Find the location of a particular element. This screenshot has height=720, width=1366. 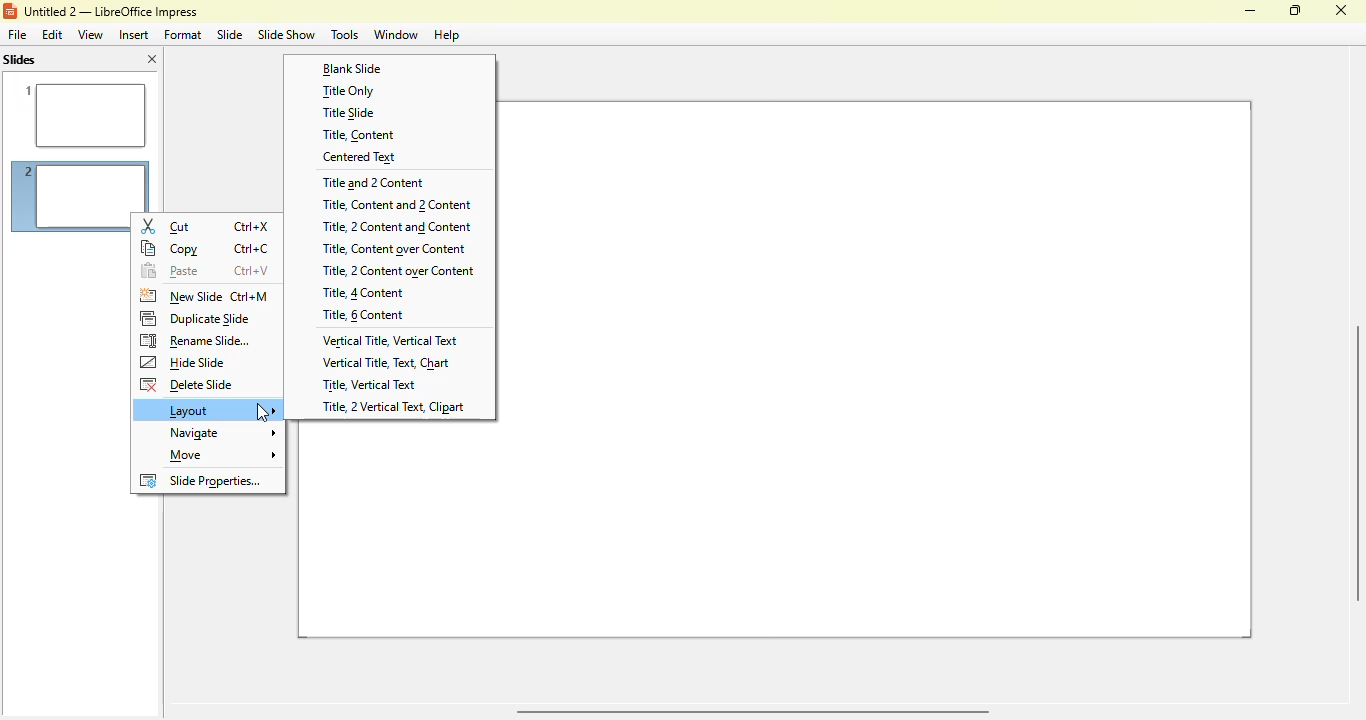

slide is located at coordinates (230, 34).